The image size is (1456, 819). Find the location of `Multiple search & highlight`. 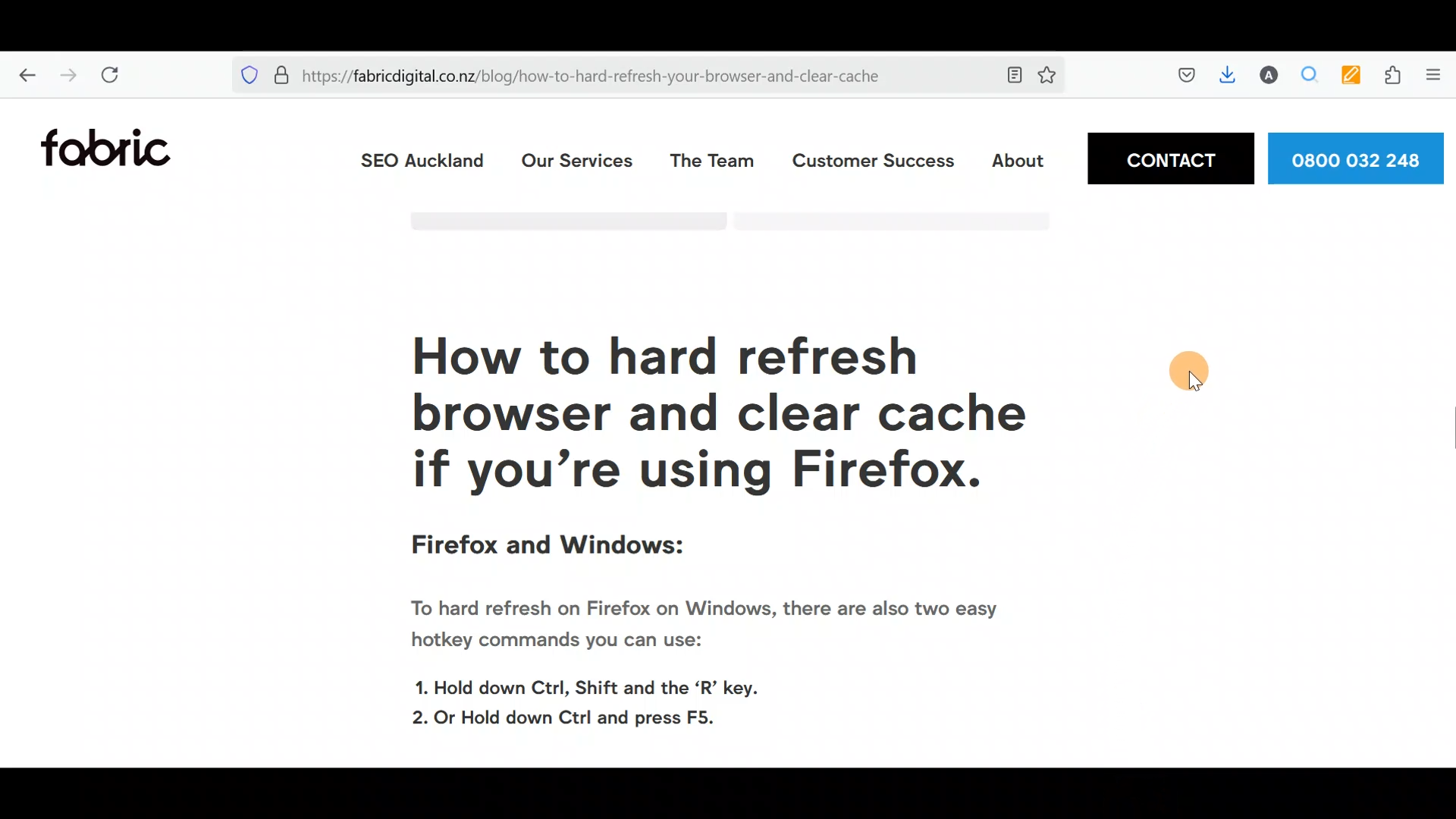

Multiple search & highlight is located at coordinates (1310, 78).